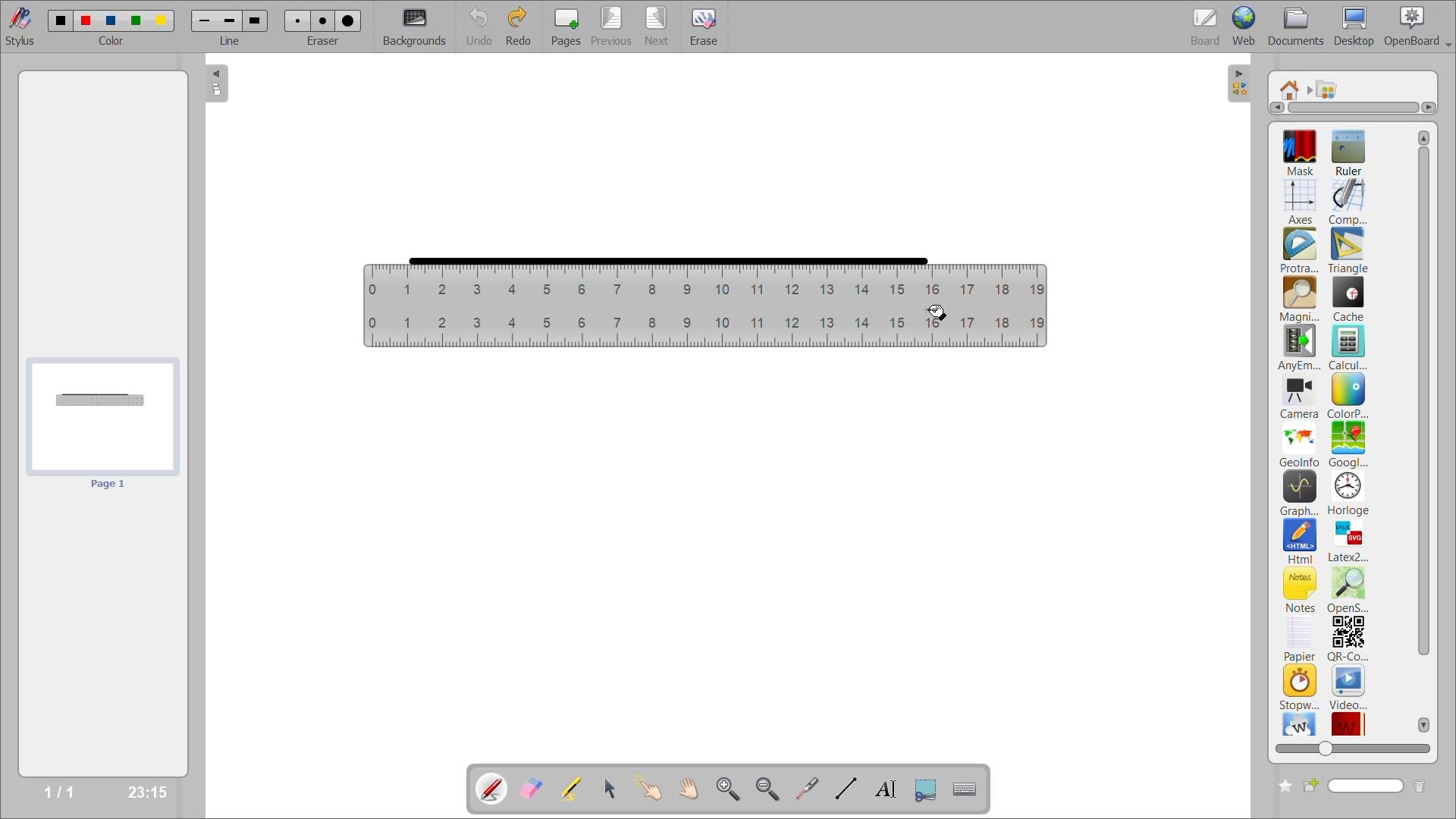 Image resolution: width=1456 pixels, height=819 pixels. What do you see at coordinates (146, 791) in the screenshot?
I see `23:15` at bounding box center [146, 791].